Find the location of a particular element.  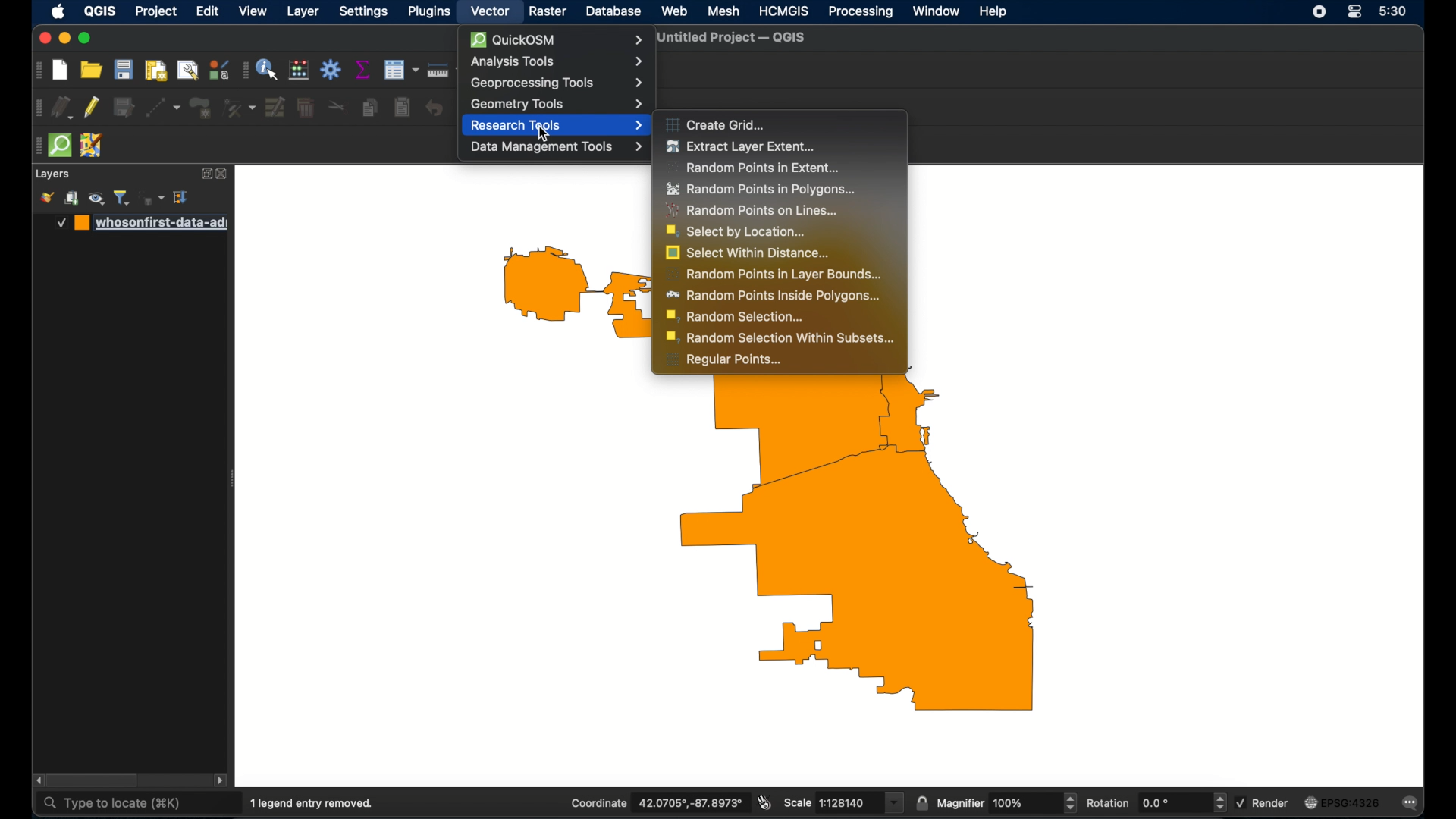

toolbox is located at coordinates (331, 70).